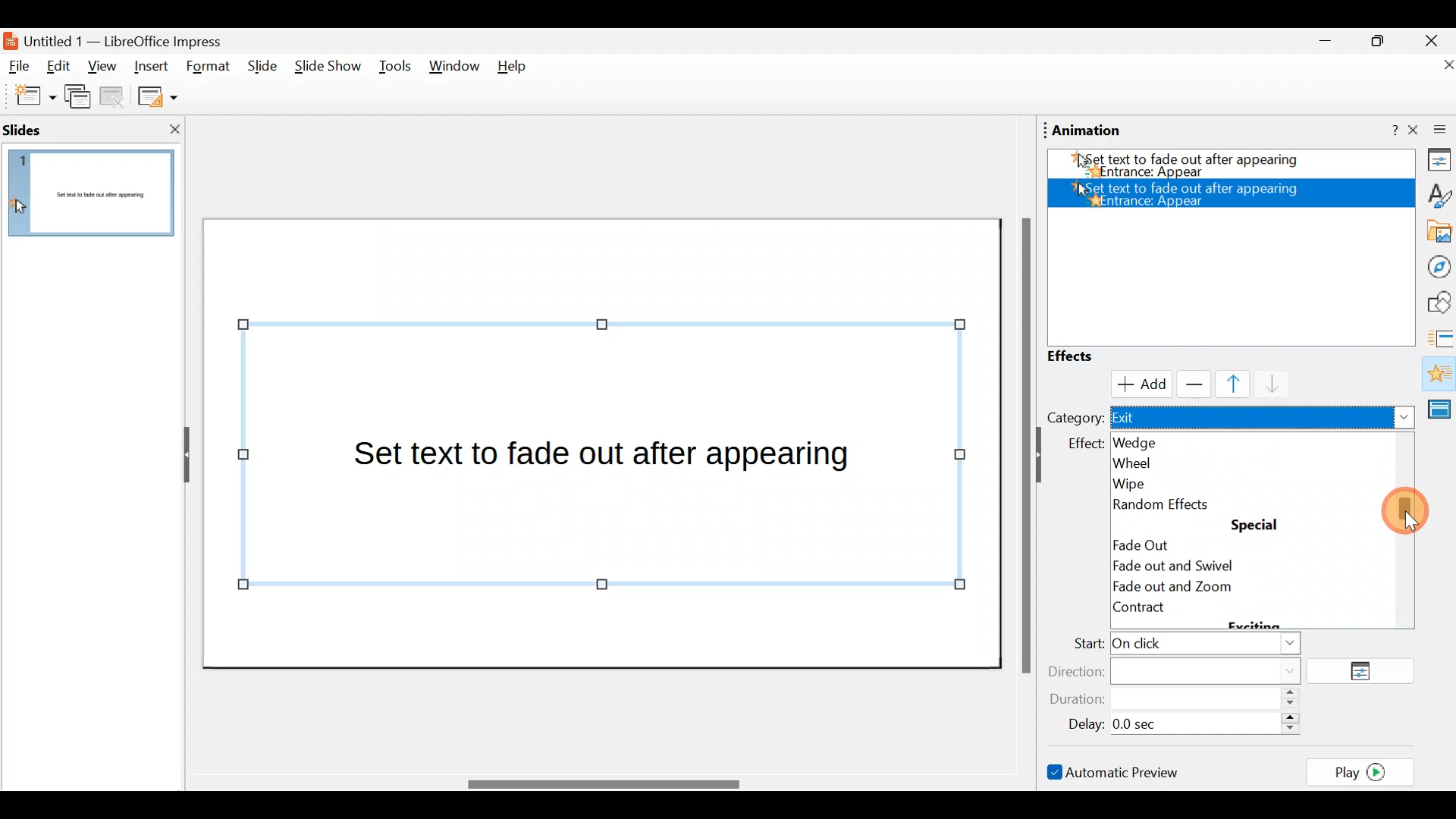 The height and width of the screenshot is (819, 1456). Describe the element at coordinates (259, 67) in the screenshot. I see `Slide` at that location.